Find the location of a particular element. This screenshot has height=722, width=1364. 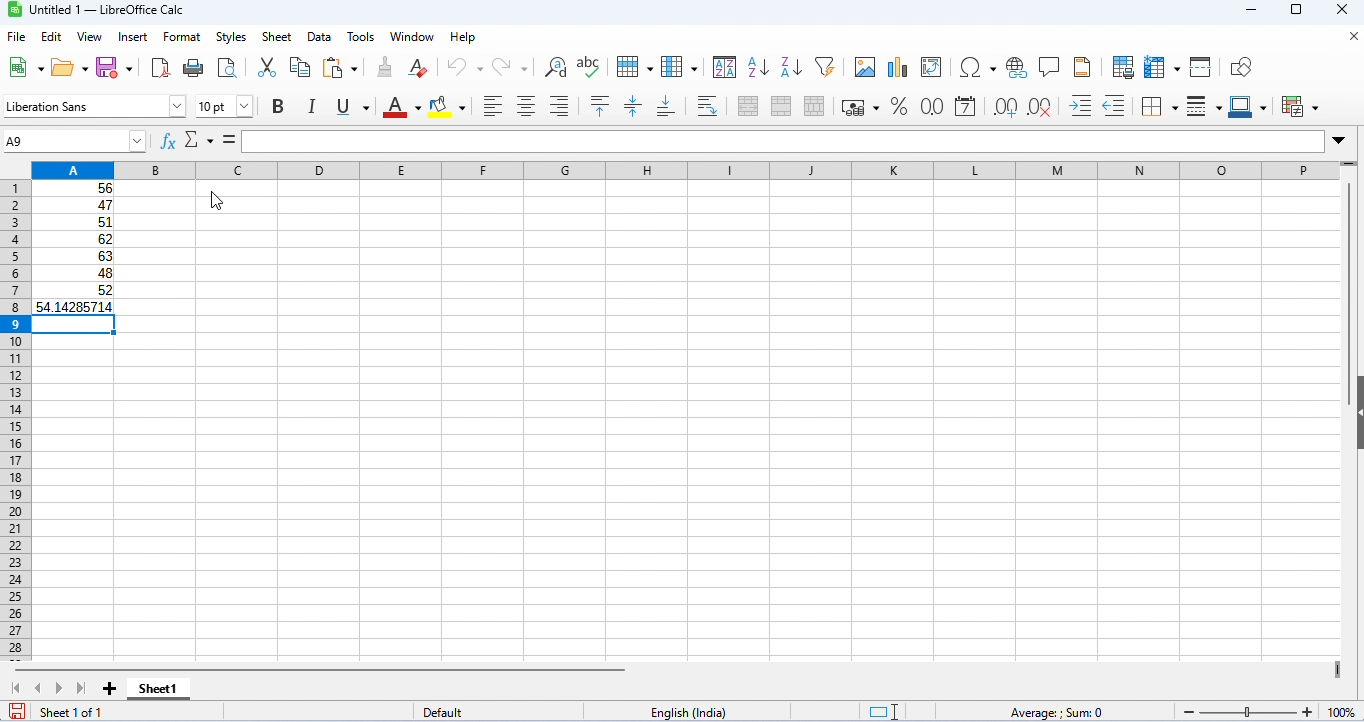

delete decimal place is located at coordinates (1039, 107).